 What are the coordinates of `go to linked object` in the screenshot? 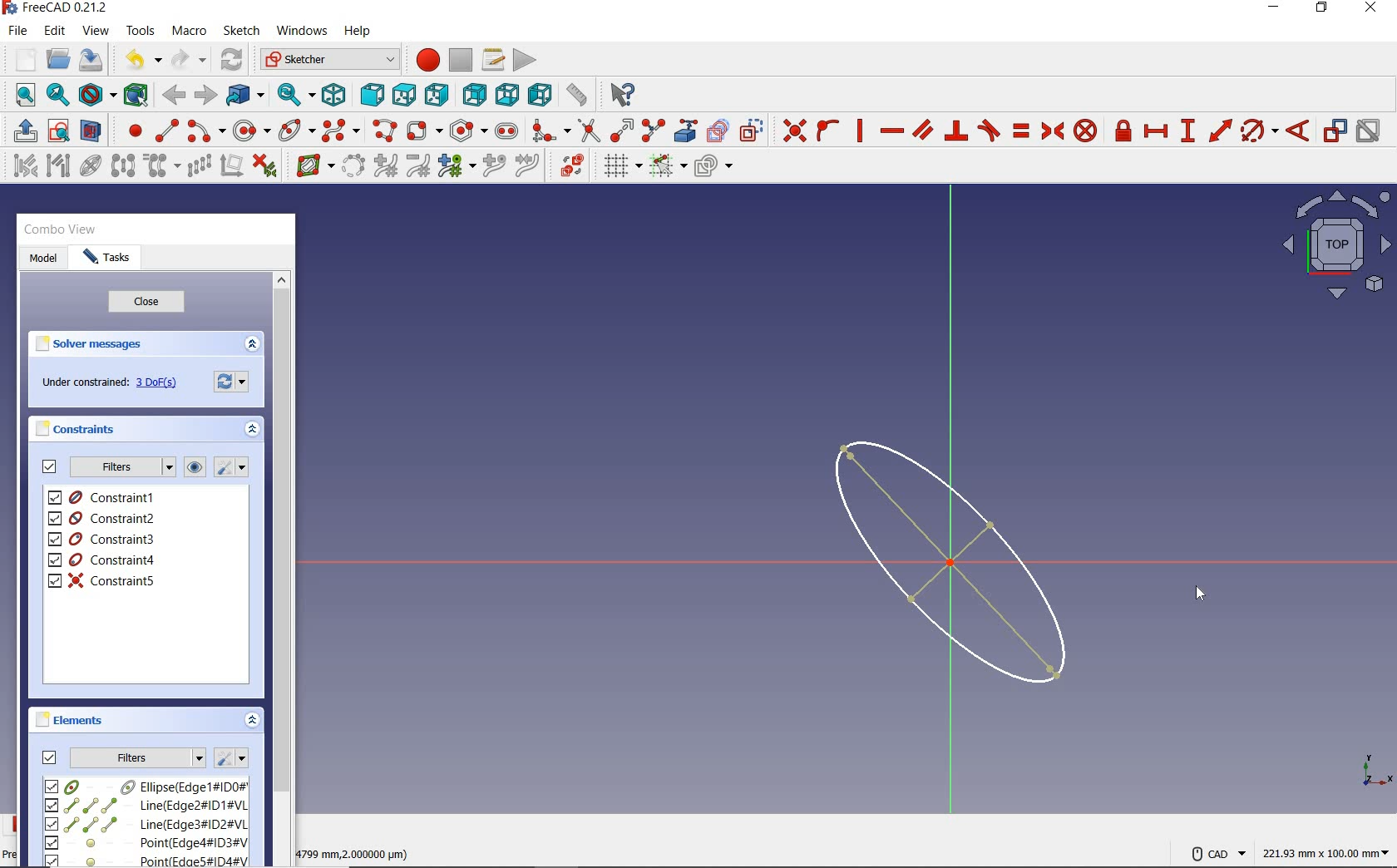 It's located at (245, 94).